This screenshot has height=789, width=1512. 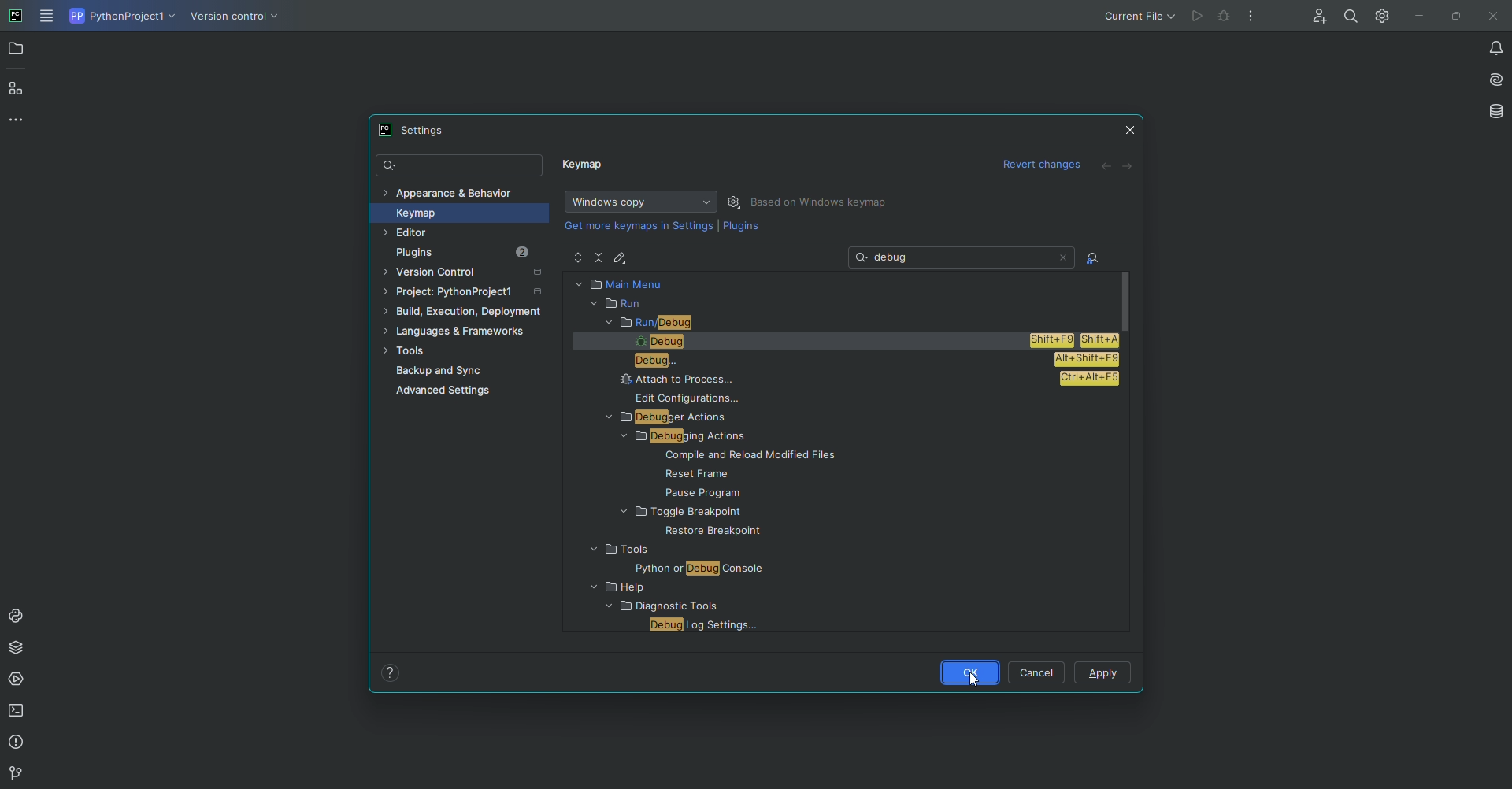 I want to click on FOLDER NAME, so click(x=658, y=550).